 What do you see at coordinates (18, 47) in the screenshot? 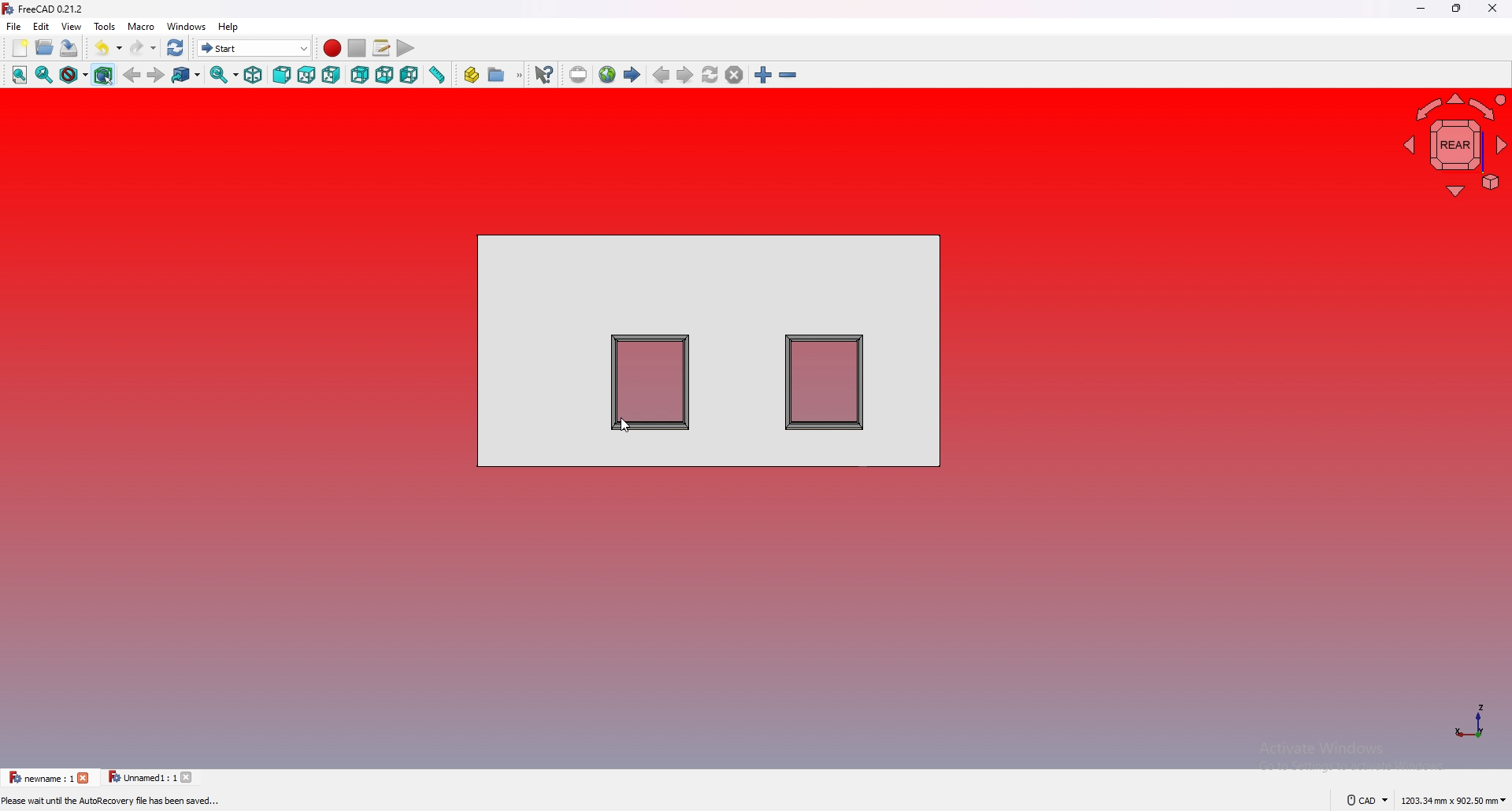
I see `new` at bounding box center [18, 47].